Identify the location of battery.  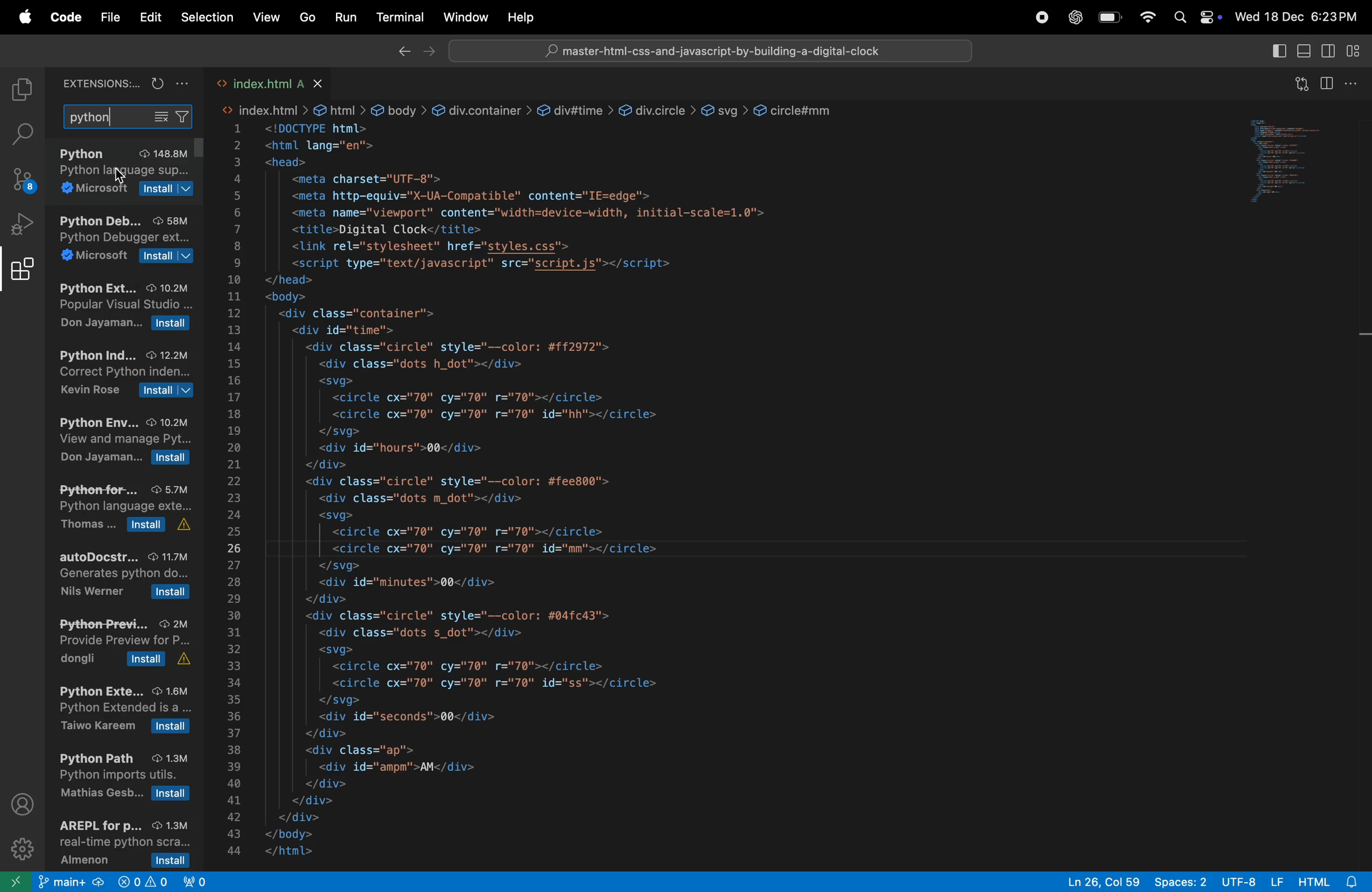
(1110, 19).